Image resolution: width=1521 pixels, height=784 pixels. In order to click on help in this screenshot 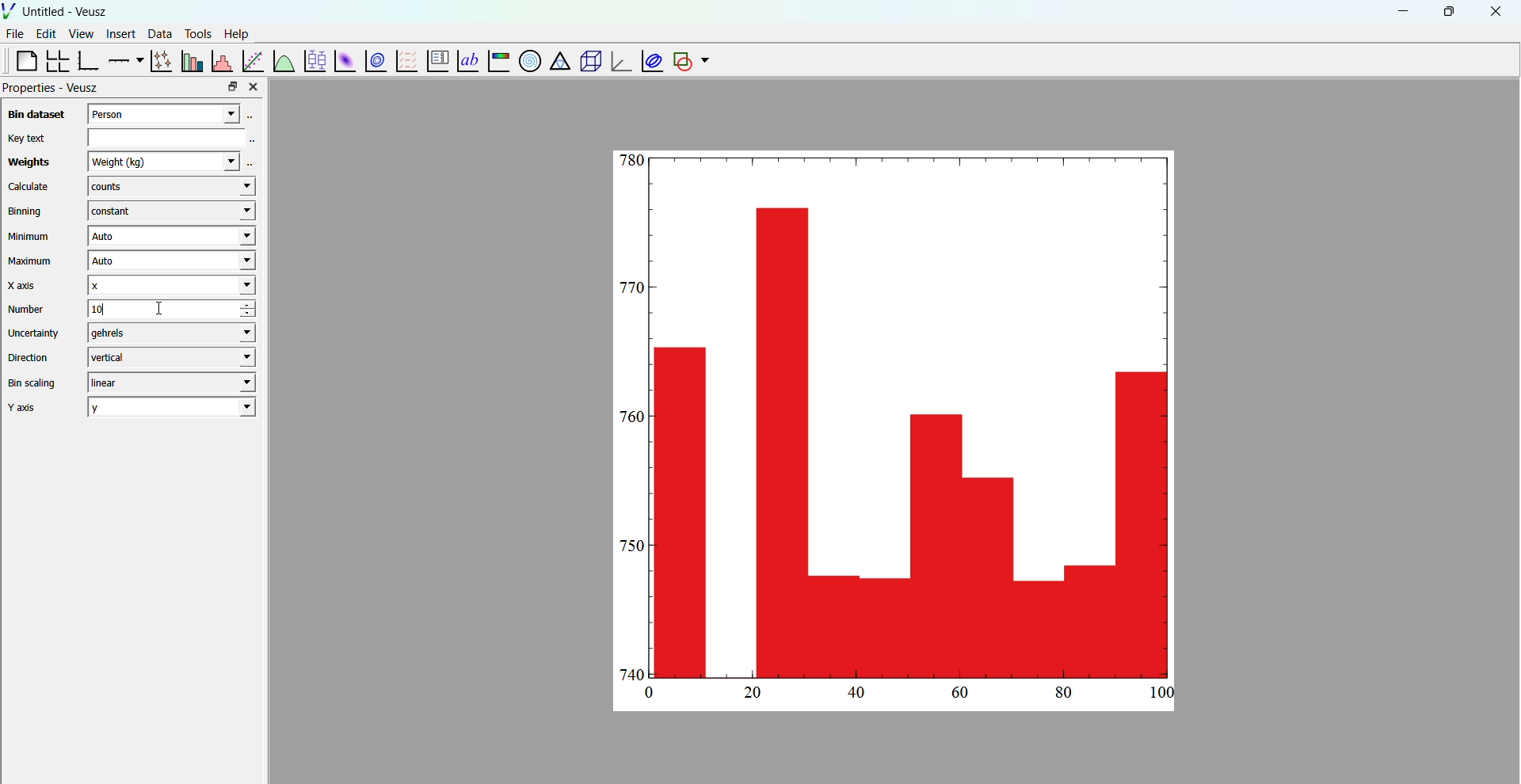, I will do `click(237, 32)`.